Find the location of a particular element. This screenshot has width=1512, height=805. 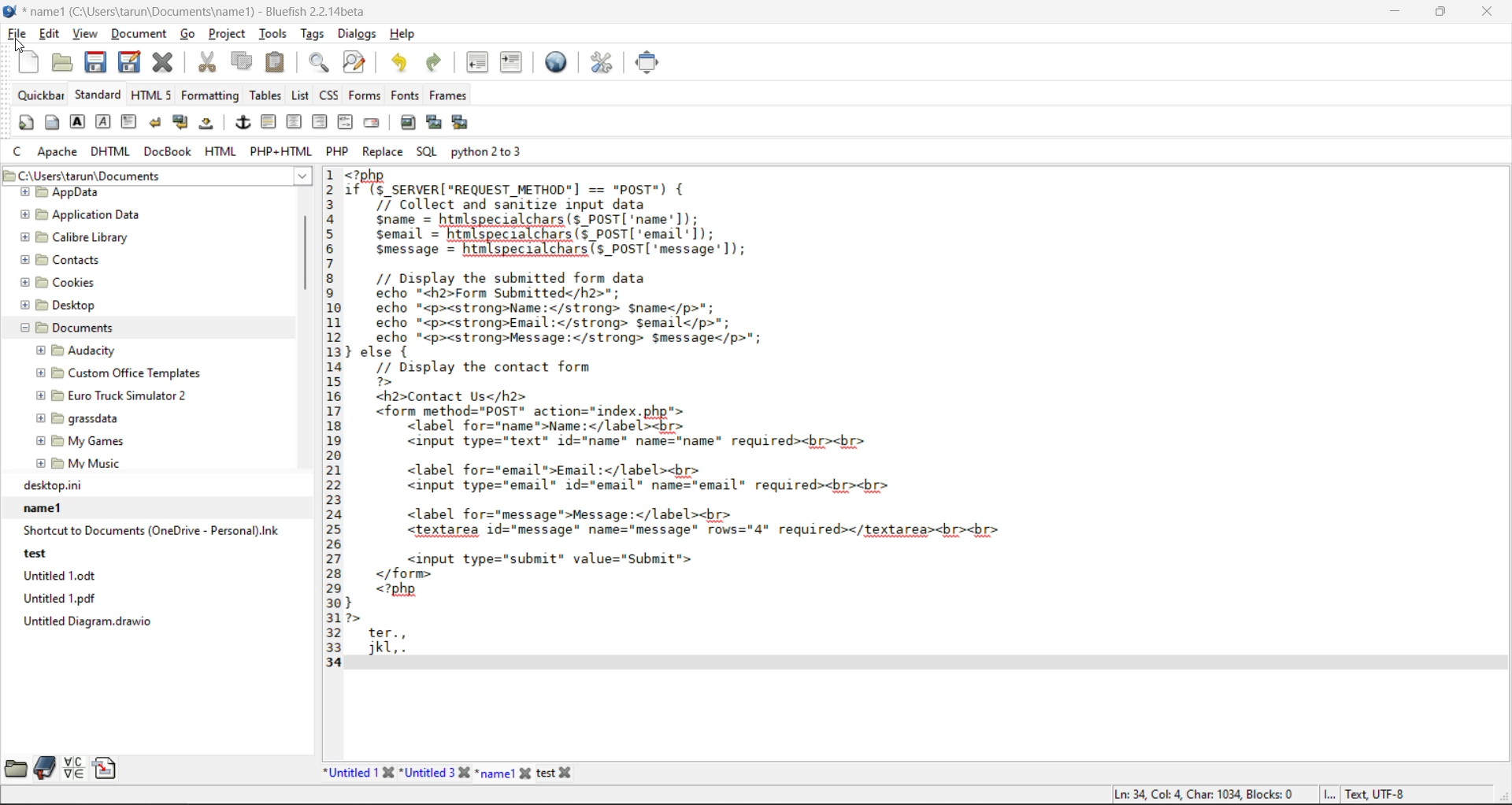

right justify is located at coordinates (321, 124).